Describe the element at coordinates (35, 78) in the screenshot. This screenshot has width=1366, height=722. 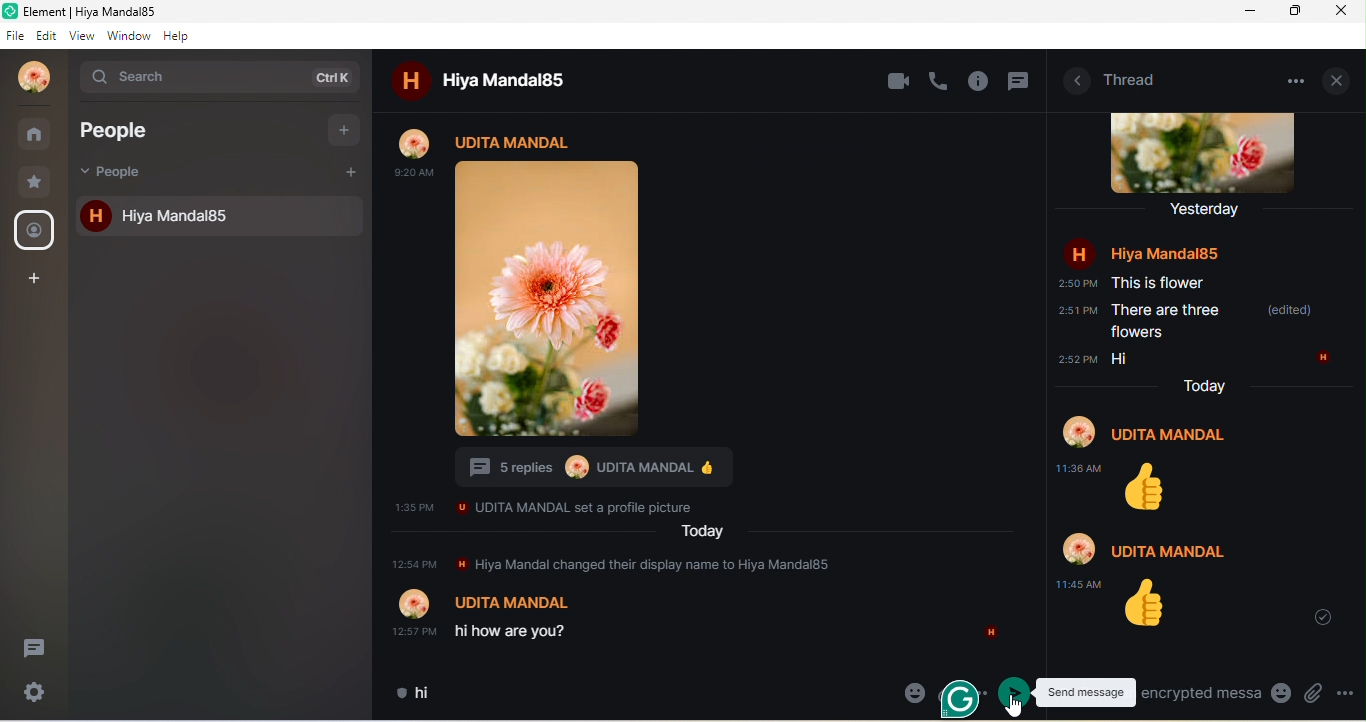
I see `profile photo` at that location.